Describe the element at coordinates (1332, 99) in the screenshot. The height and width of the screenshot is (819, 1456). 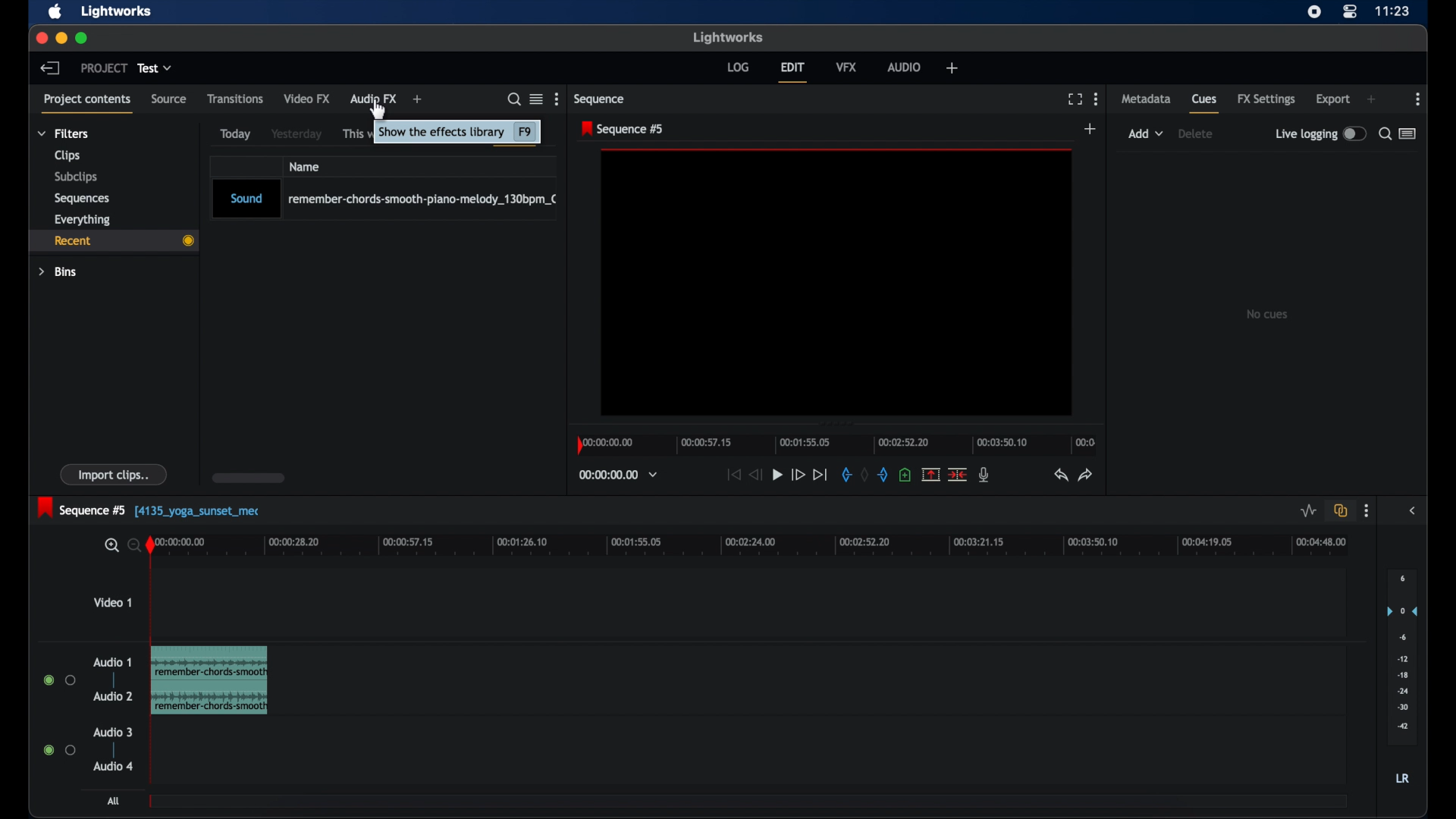
I see `export` at that location.